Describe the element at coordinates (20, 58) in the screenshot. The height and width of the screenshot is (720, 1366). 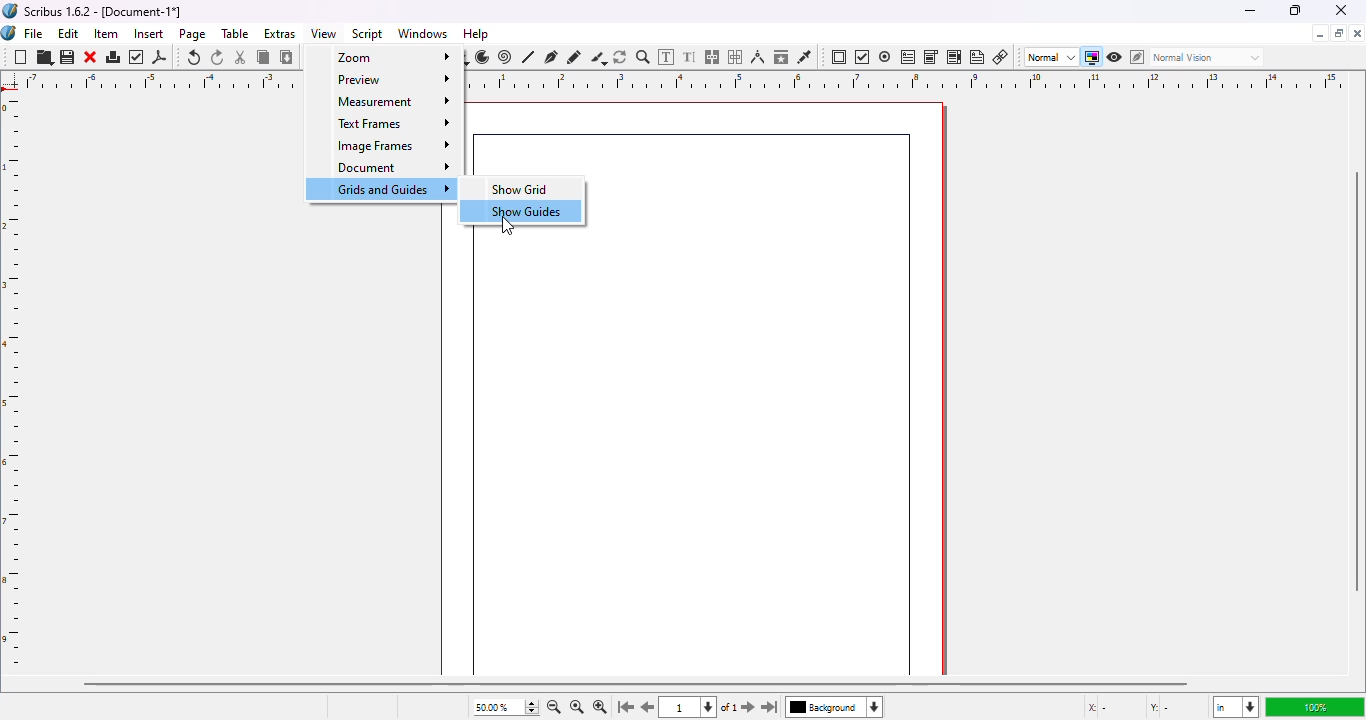
I see `new` at that location.